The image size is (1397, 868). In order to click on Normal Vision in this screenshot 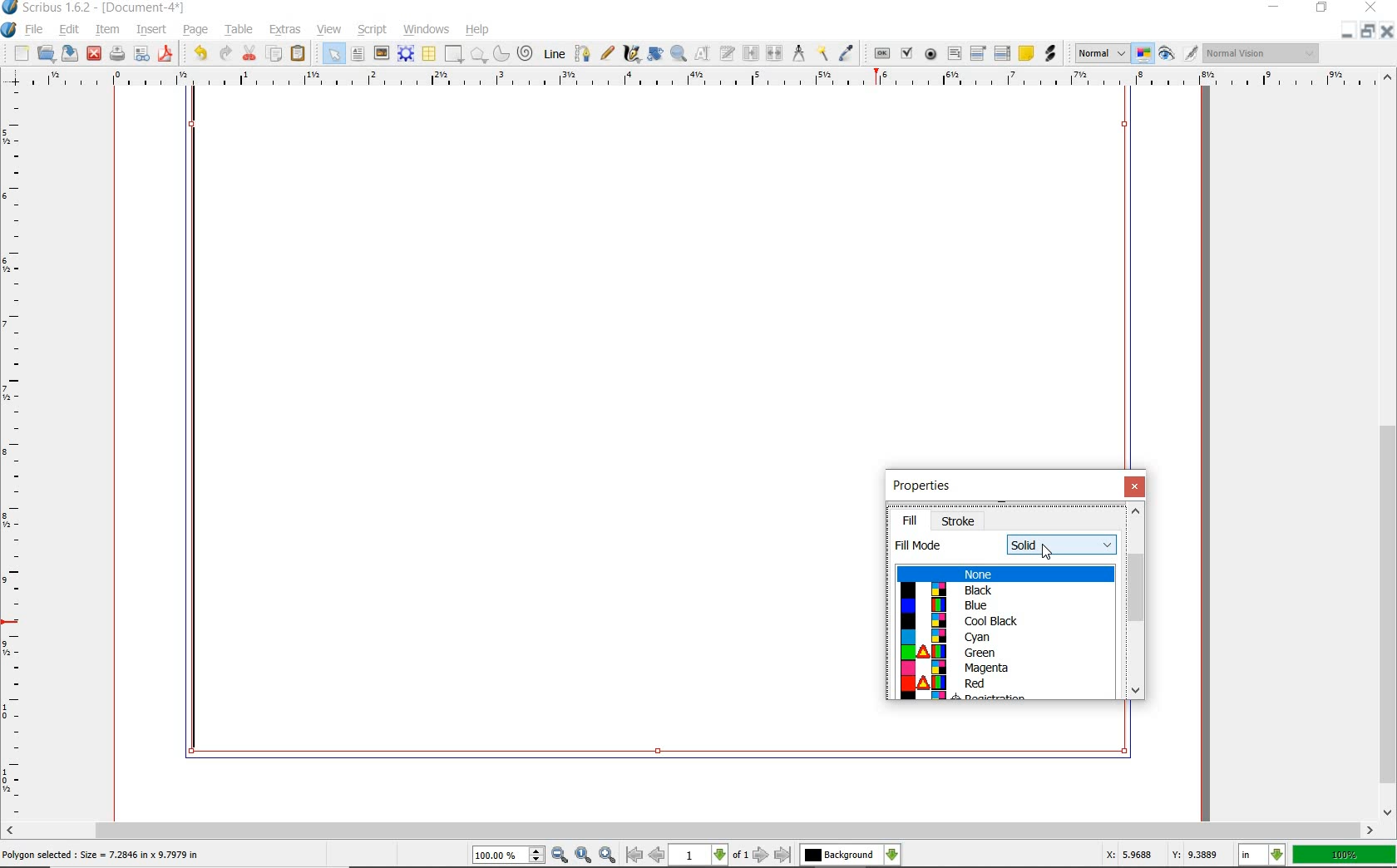, I will do `click(1261, 52)`.